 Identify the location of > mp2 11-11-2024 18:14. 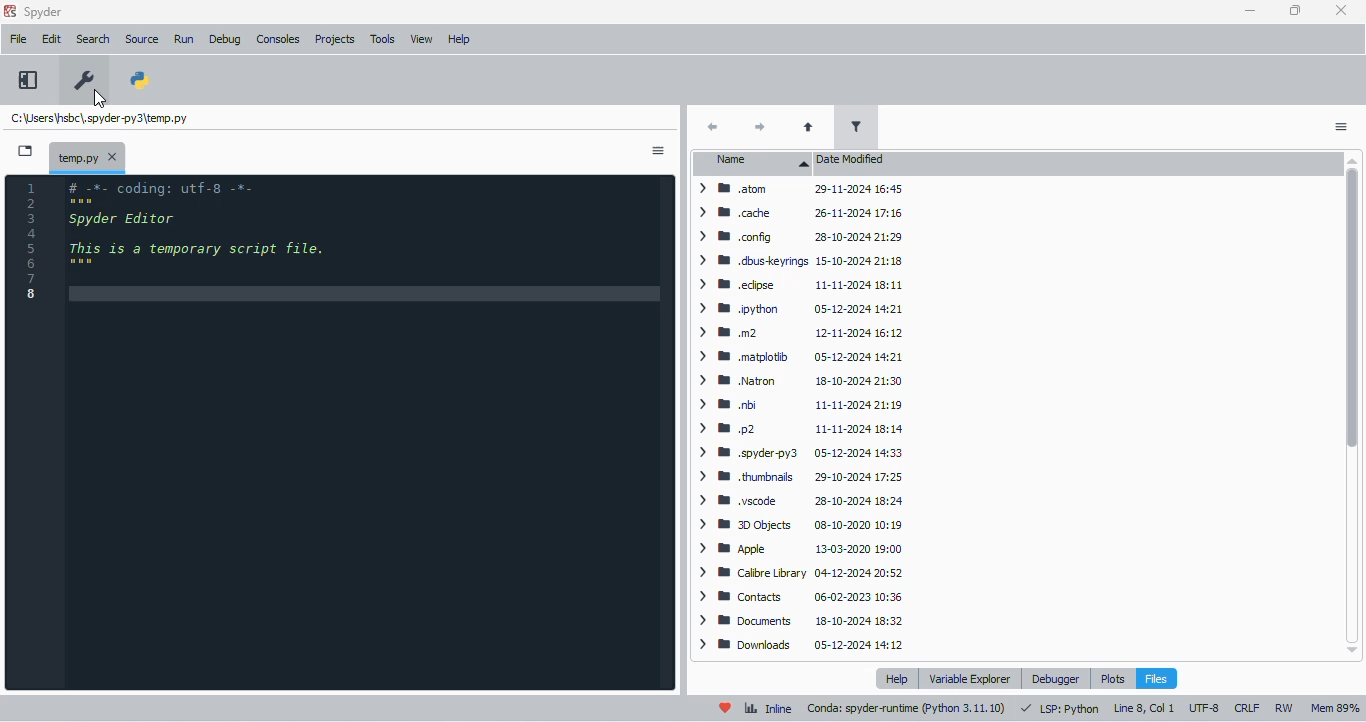
(798, 429).